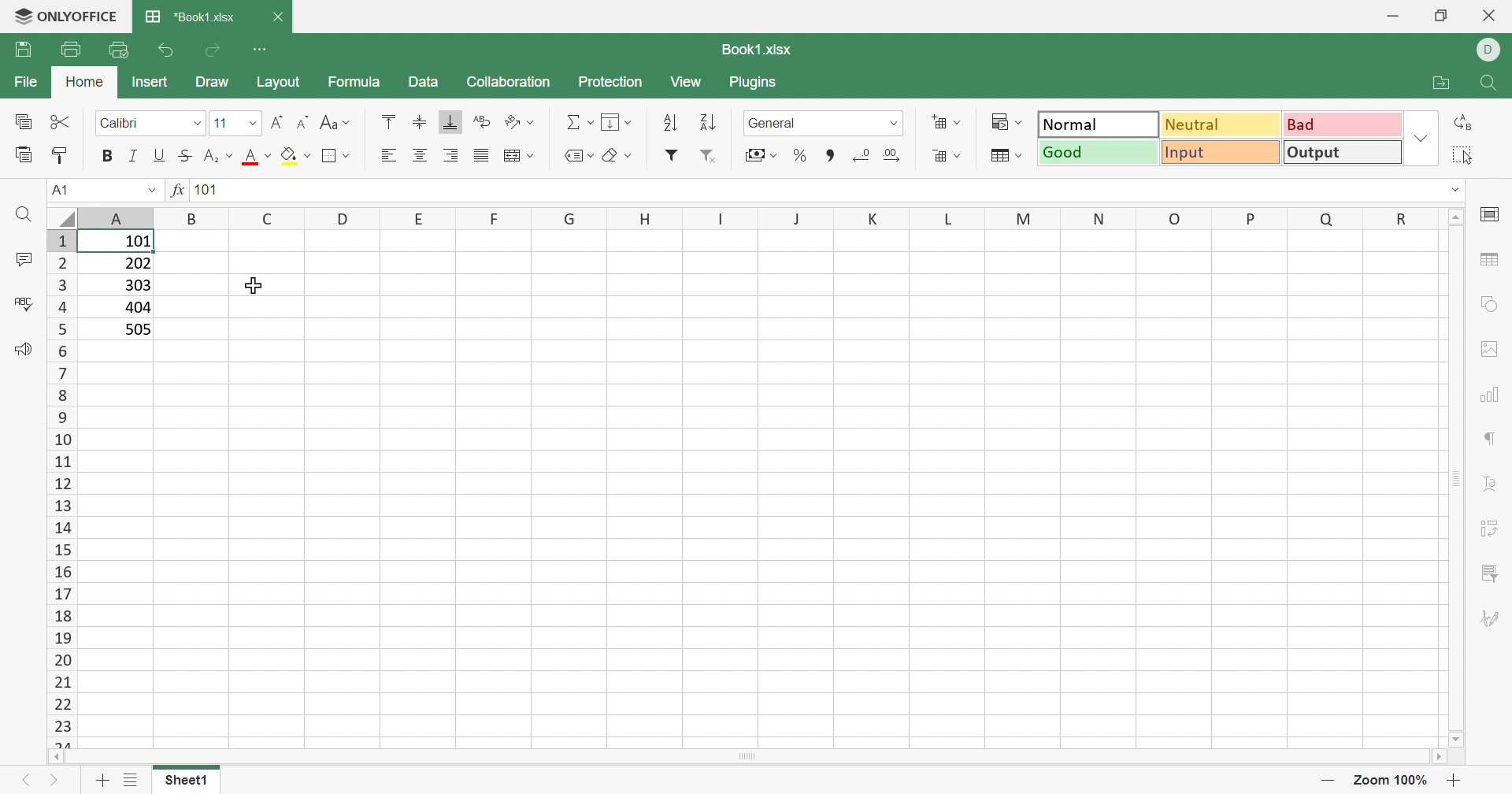  What do you see at coordinates (802, 158) in the screenshot?
I see `Percent` at bounding box center [802, 158].